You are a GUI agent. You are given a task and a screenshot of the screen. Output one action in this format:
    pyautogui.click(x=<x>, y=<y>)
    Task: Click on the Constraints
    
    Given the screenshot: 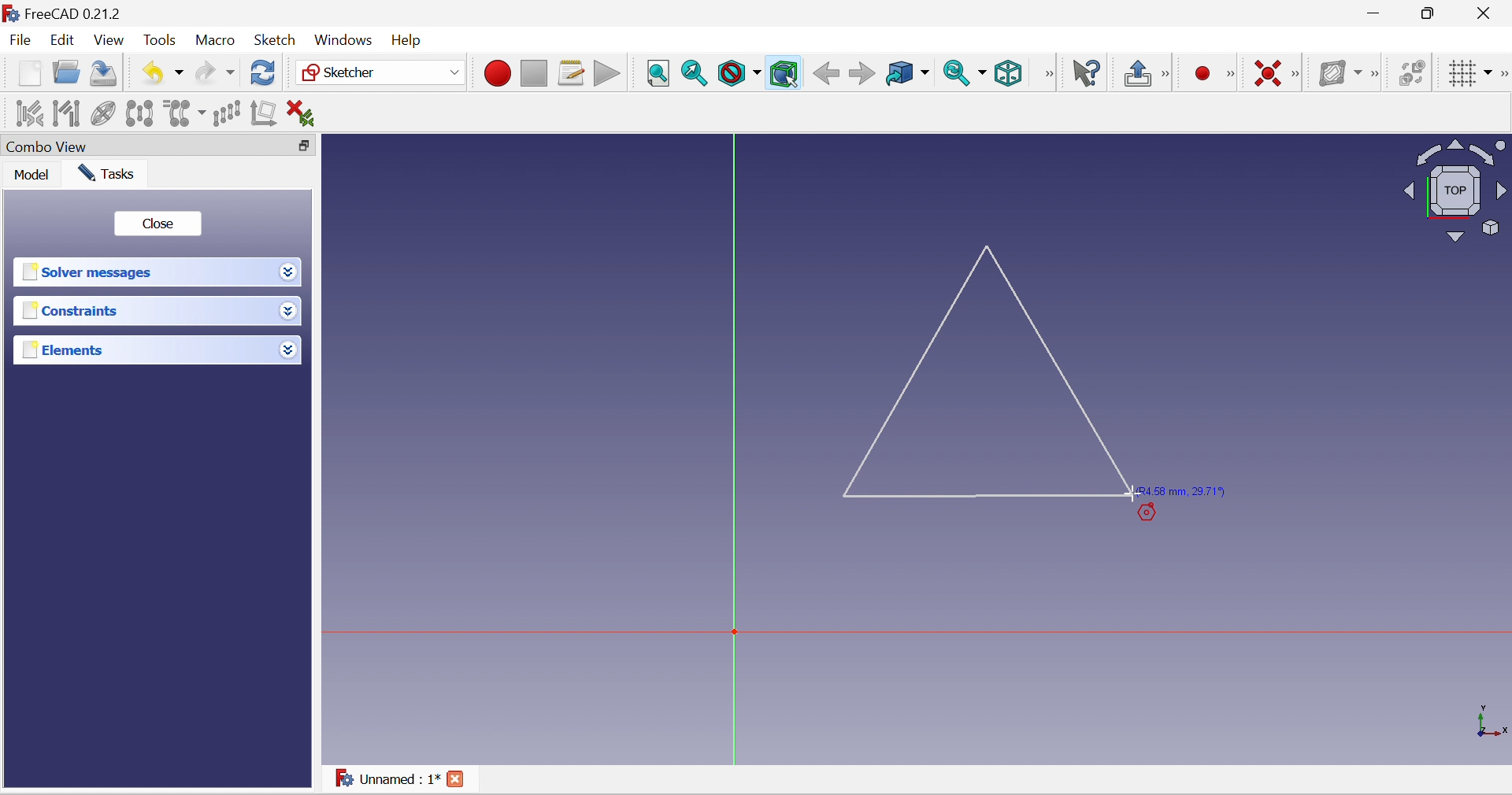 What is the action you would take?
    pyautogui.click(x=143, y=311)
    